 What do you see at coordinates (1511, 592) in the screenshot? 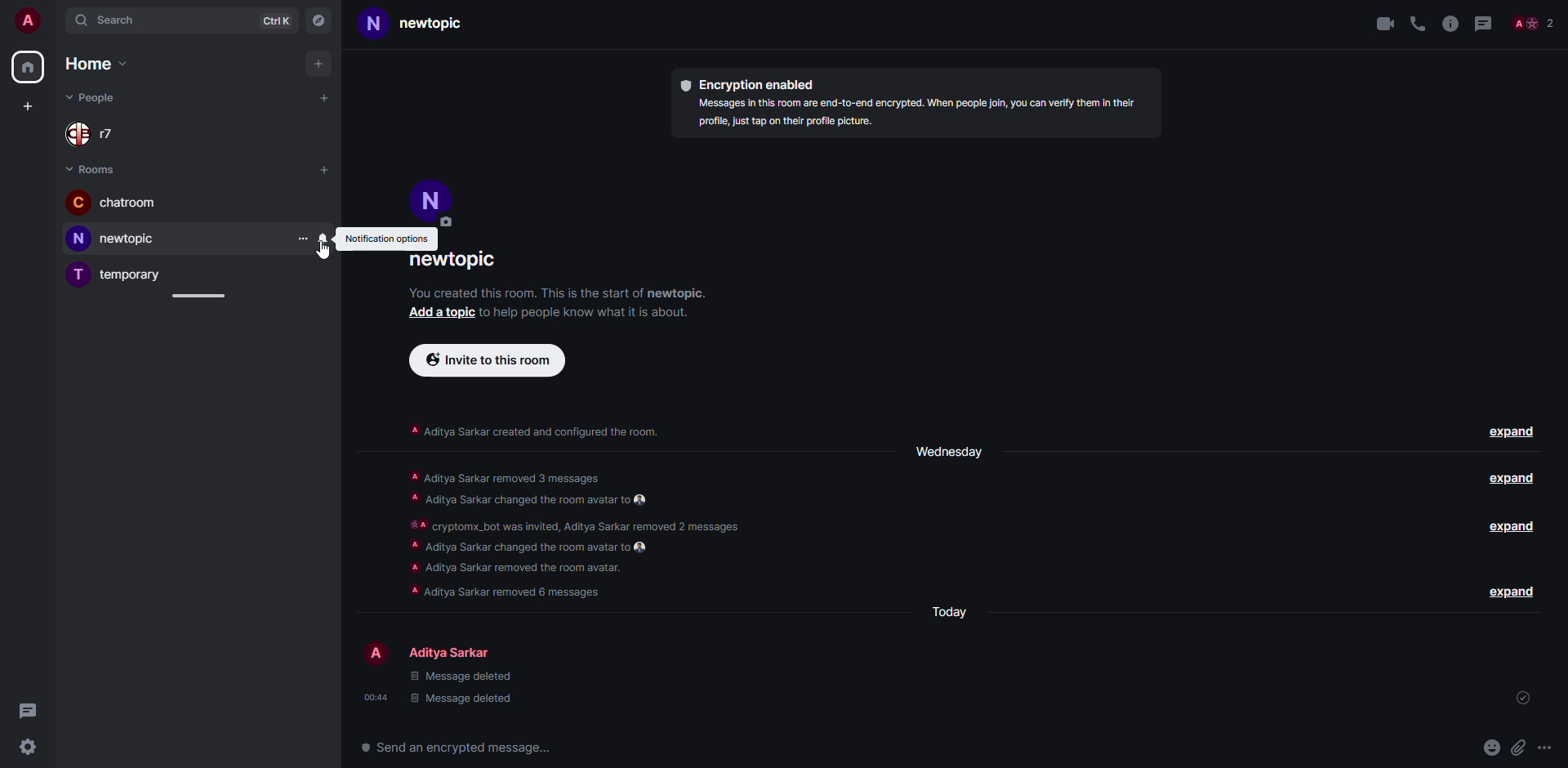
I see `expand` at bounding box center [1511, 592].